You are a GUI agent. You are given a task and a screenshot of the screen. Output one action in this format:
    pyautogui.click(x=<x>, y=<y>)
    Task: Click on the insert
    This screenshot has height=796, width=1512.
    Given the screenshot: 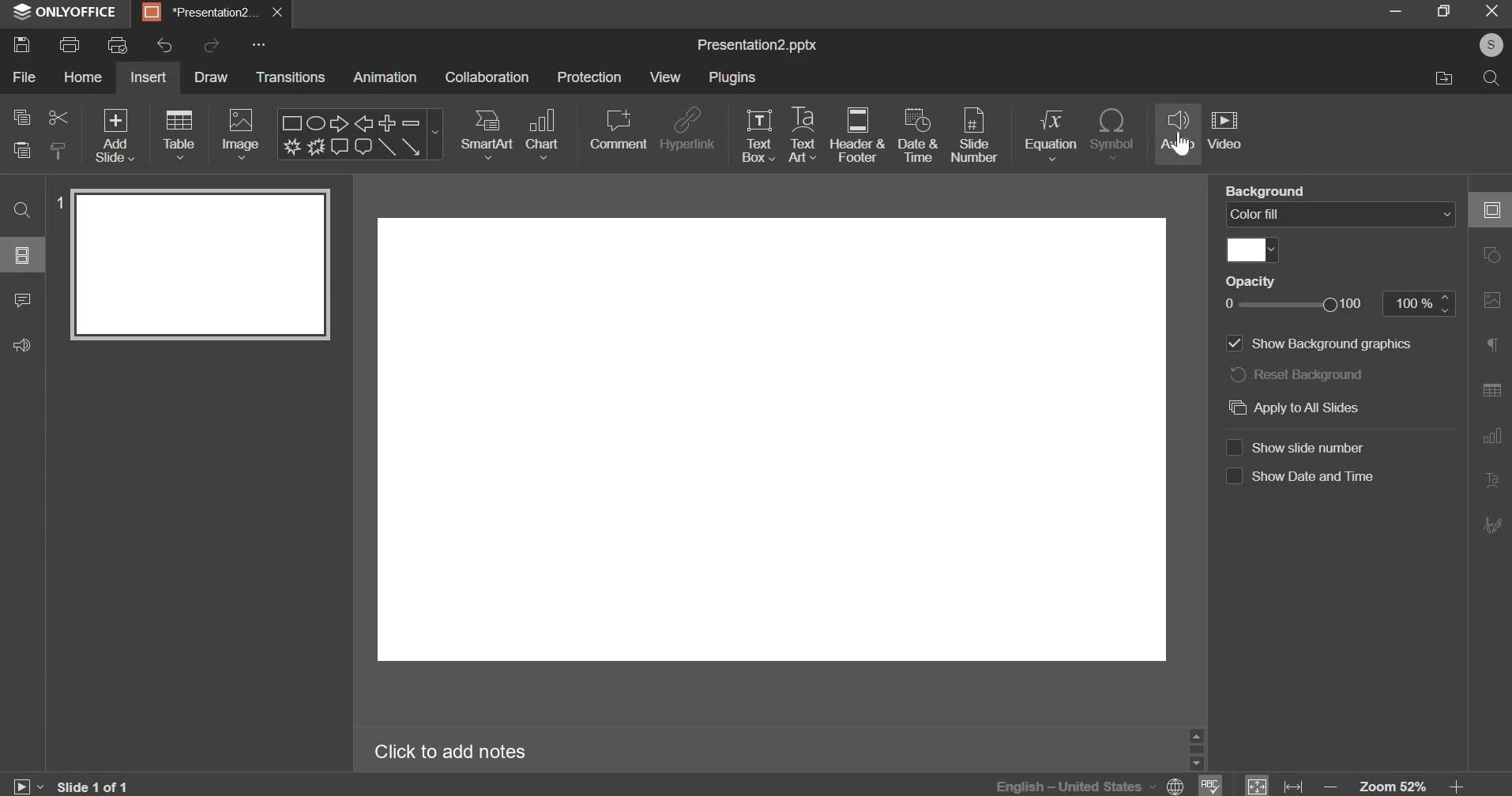 What is the action you would take?
    pyautogui.click(x=148, y=77)
    